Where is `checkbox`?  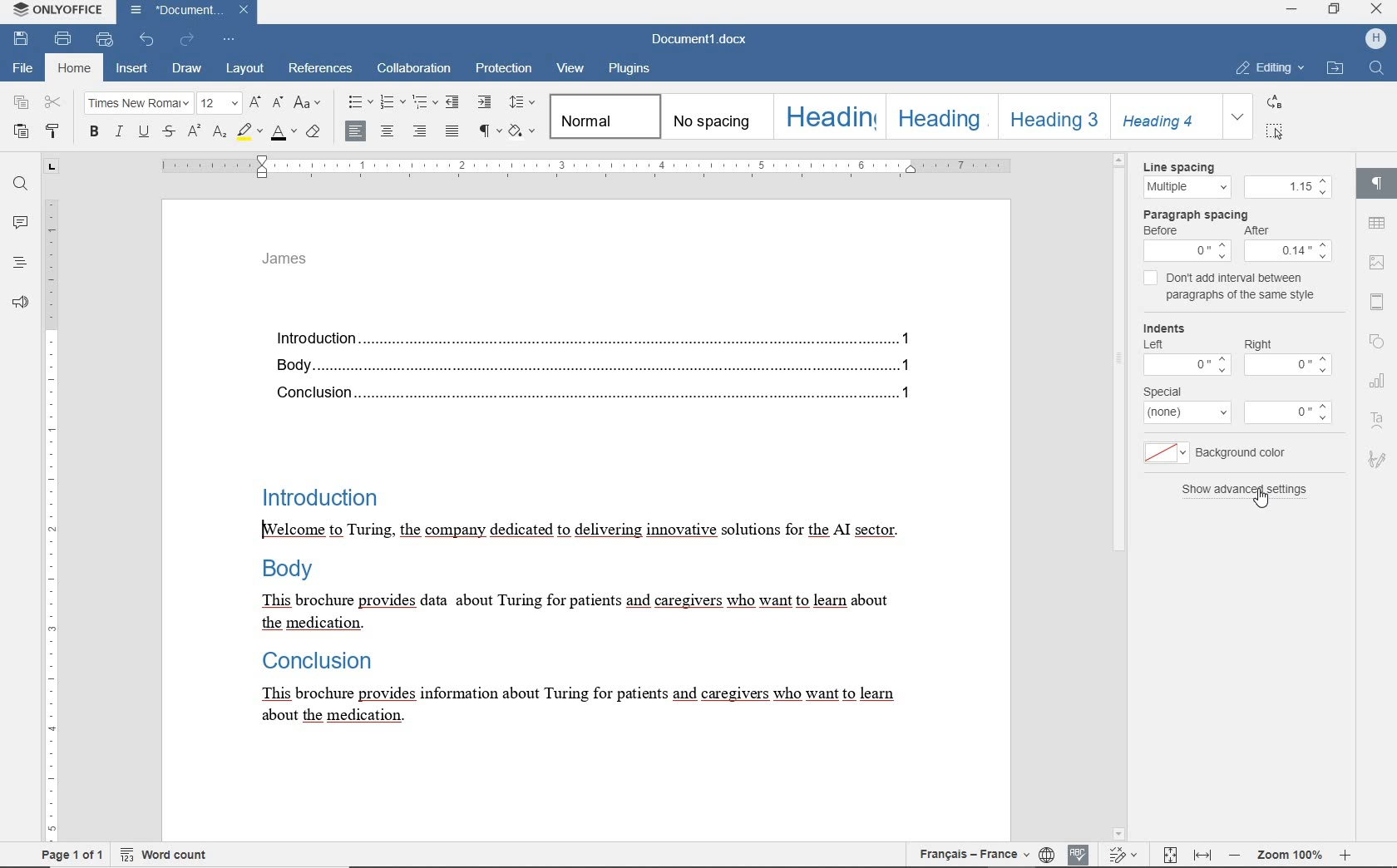 checkbox is located at coordinates (1151, 280).